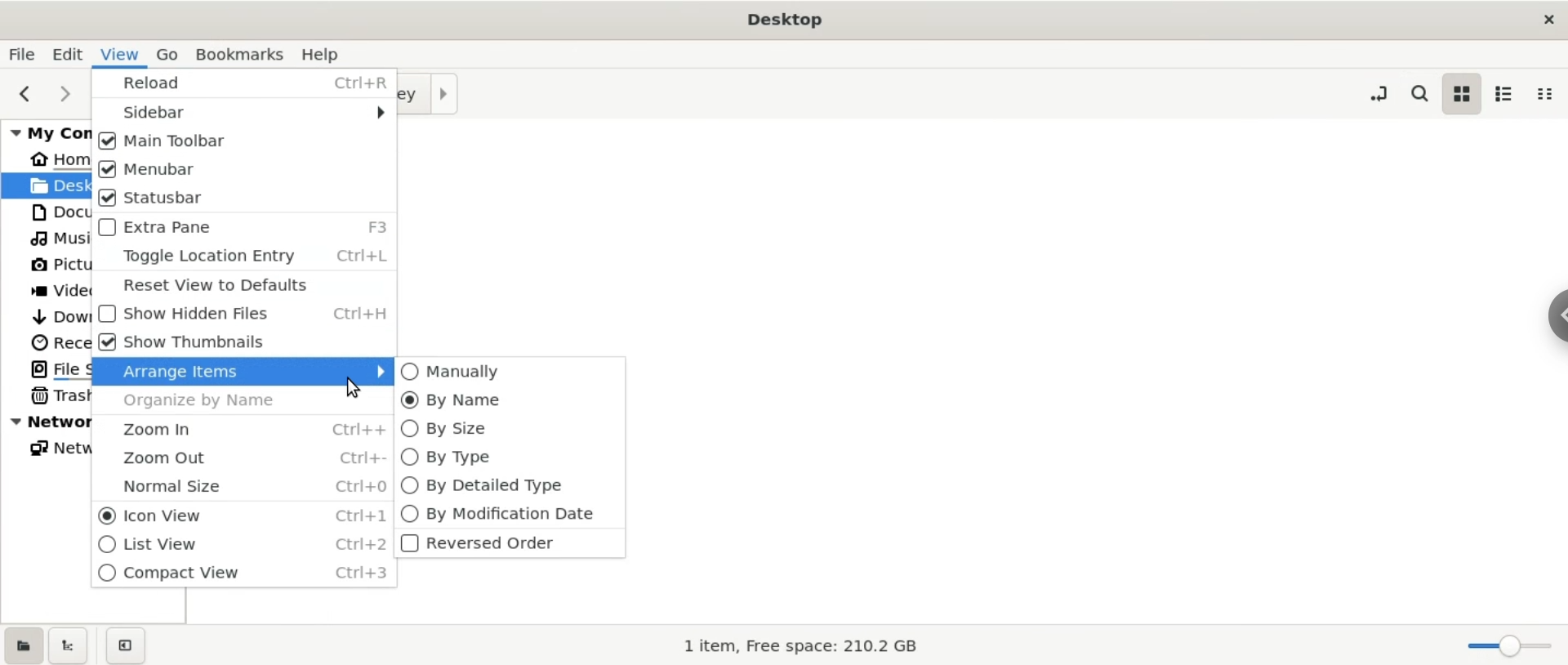 The width and height of the screenshot is (1568, 665). I want to click on main toolbar, so click(243, 142).